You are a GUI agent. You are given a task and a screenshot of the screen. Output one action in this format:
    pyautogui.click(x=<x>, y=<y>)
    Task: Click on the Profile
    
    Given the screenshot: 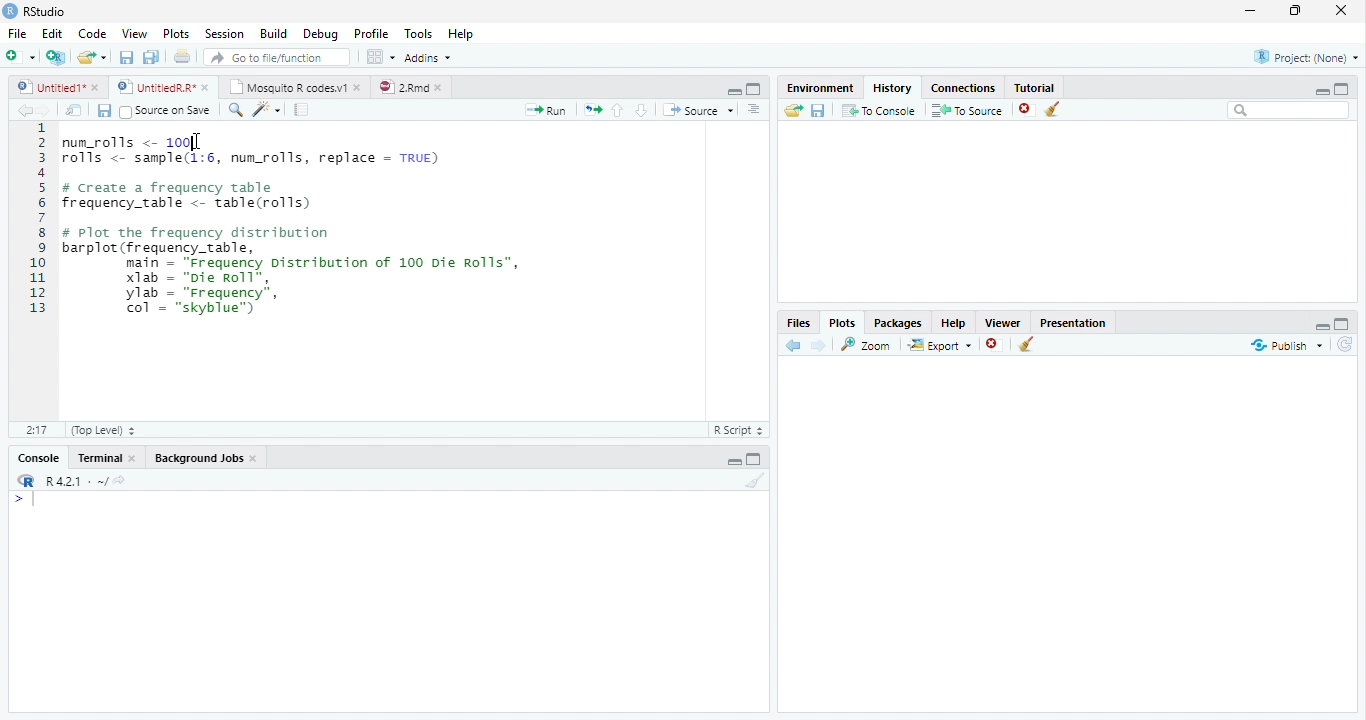 What is the action you would take?
    pyautogui.click(x=374, y=33)
    